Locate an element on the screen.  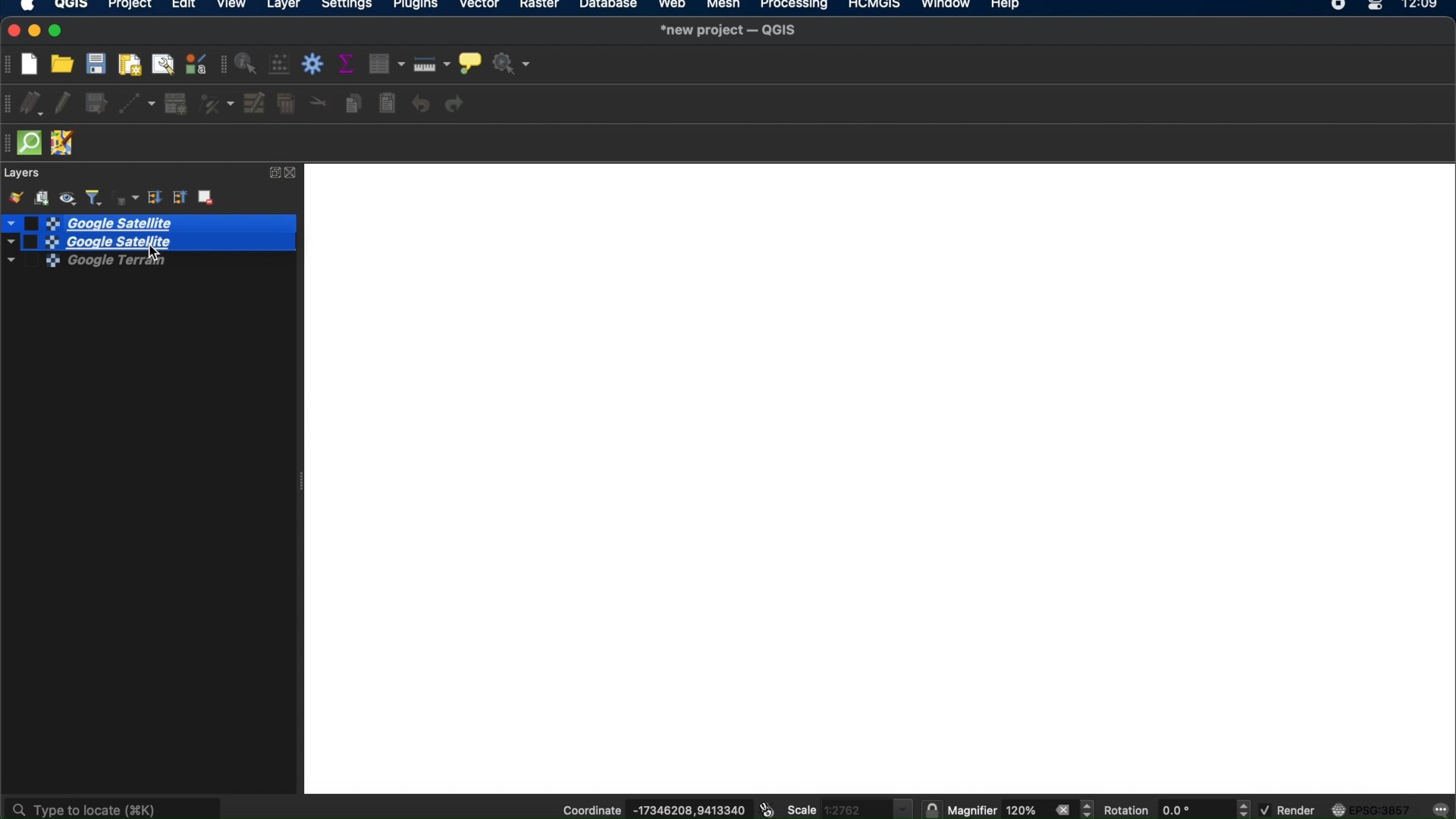
apple icon is located at coordinates (33, 7).